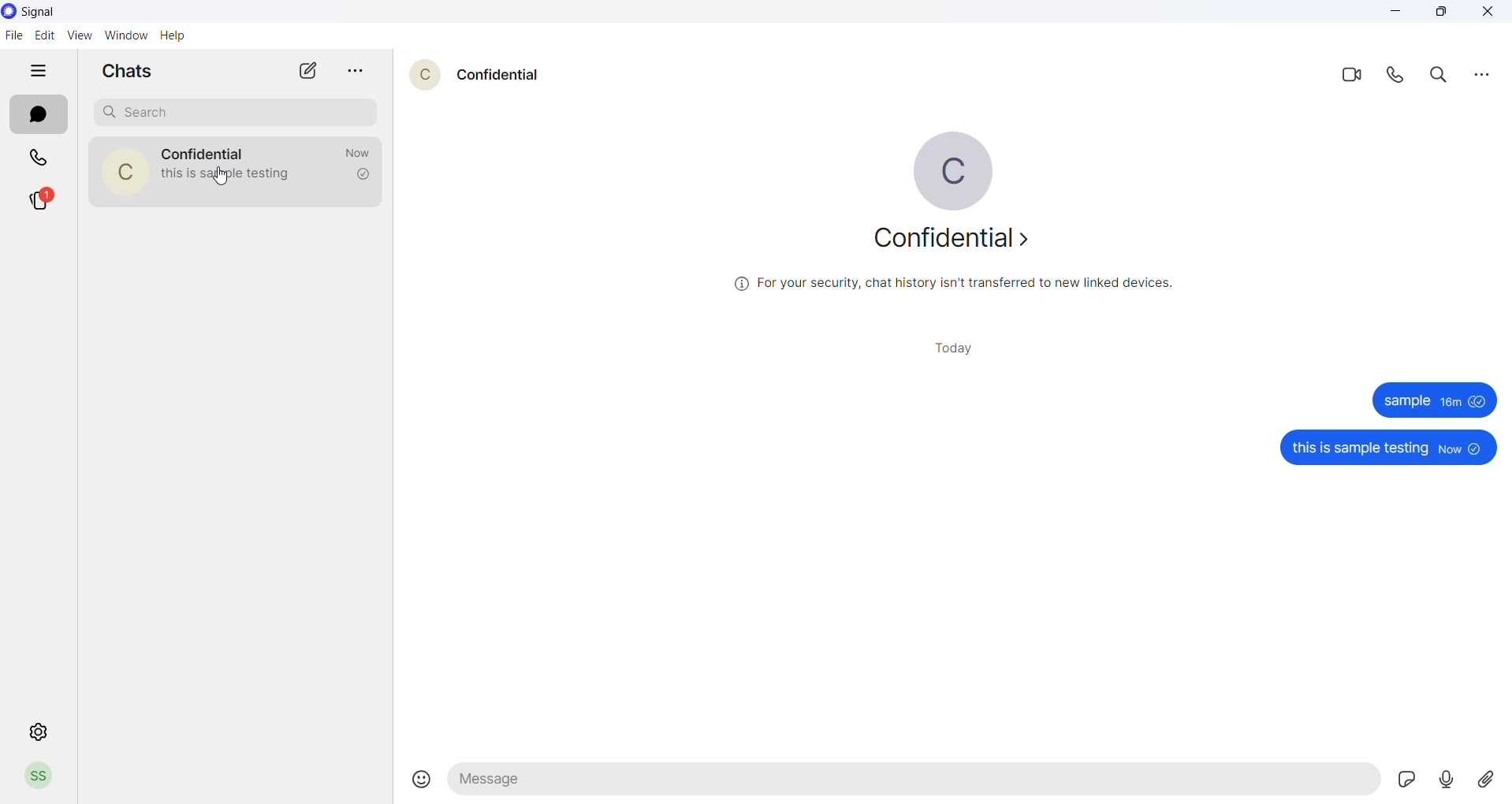 The height and width of the screenshot is (804, 1512). What do you see at coordinates (123, 35) in the screenshot?
I see `window` at bounding box center [123, 35].